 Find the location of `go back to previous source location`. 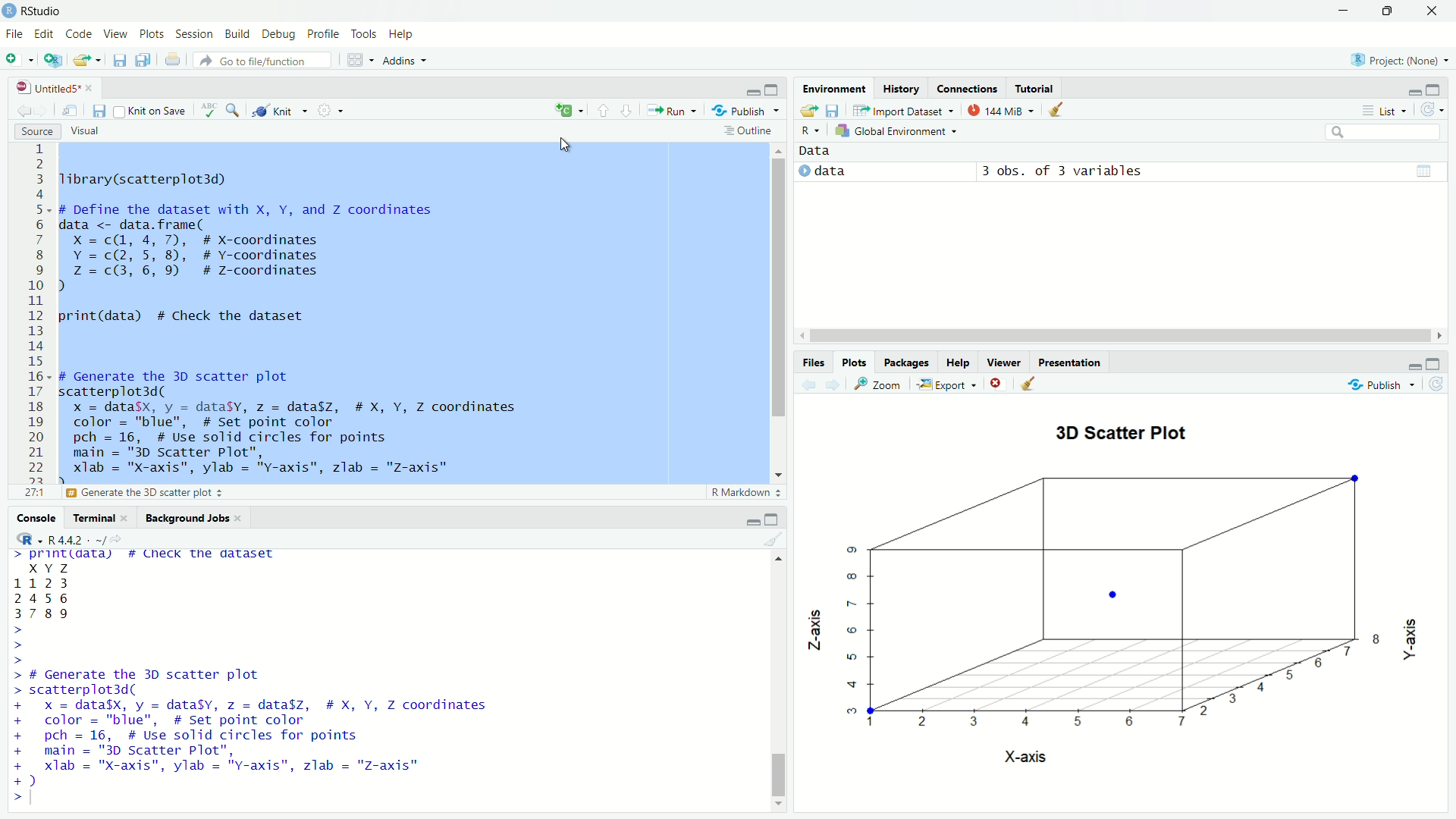

go back to previous source location is located at coordinates (15, 110).